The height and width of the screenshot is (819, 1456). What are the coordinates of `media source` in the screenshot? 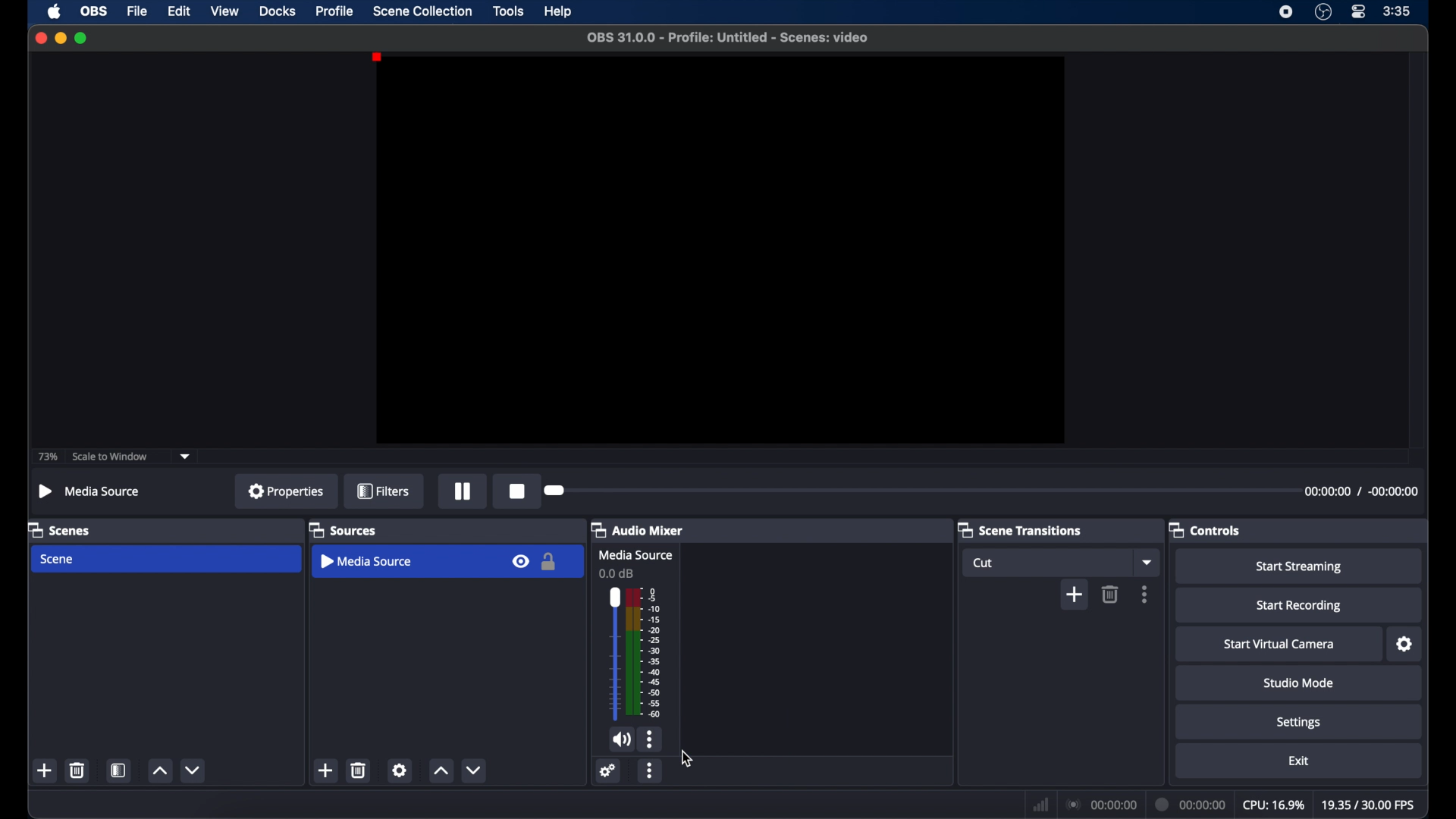 It's located at (634, 556).